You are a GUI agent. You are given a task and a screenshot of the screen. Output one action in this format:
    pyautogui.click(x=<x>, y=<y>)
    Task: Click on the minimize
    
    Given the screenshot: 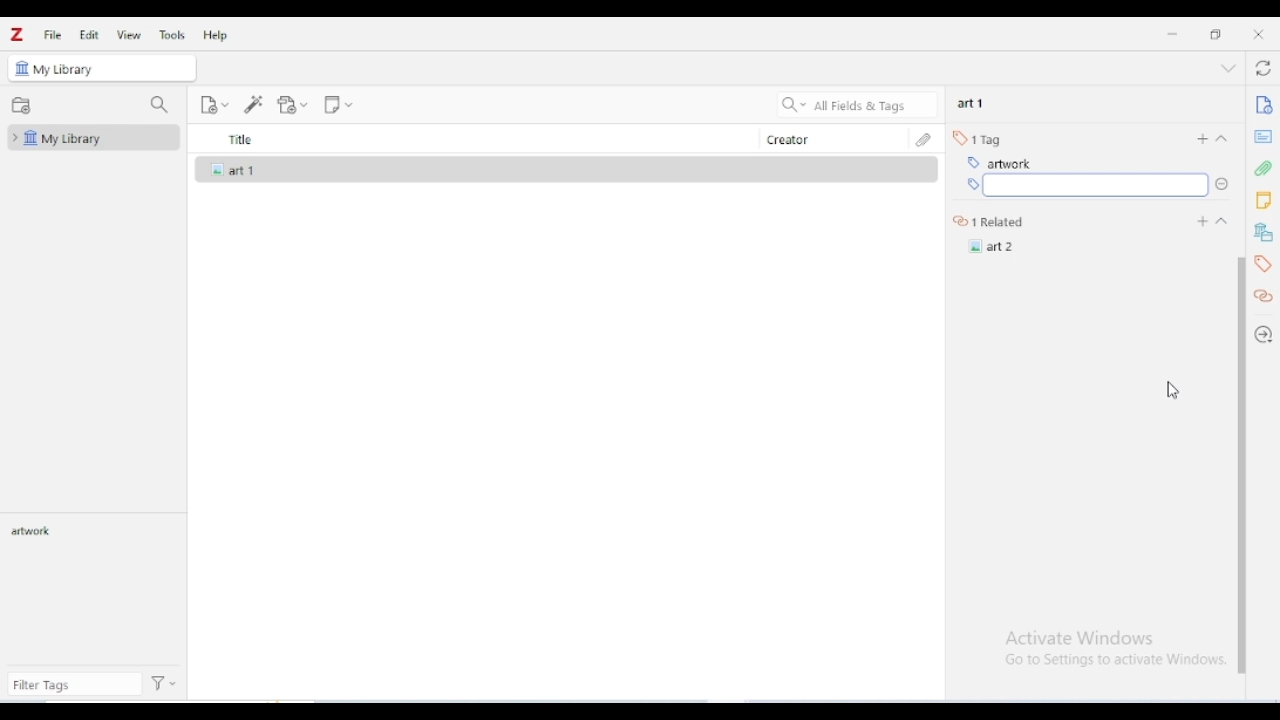 What is the action you would take?
    pyautogui.click(x=1172, y=33)
    